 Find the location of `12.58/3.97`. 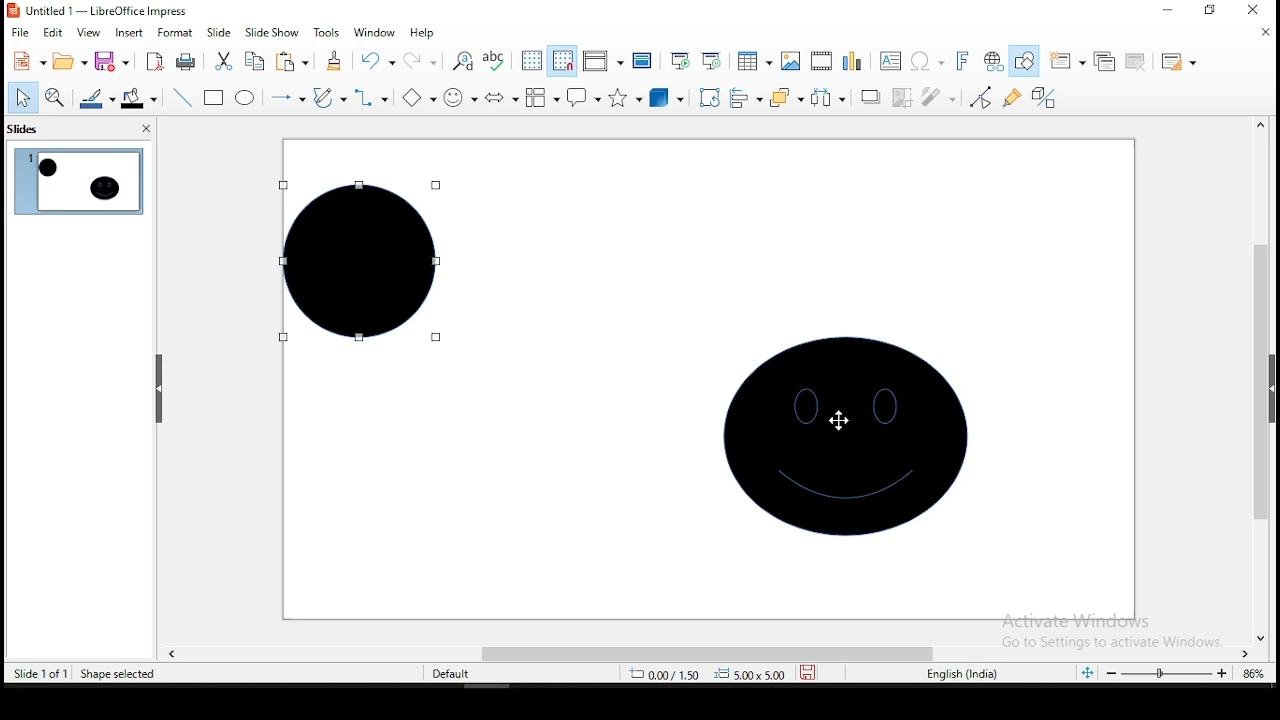

12.58/3.97 is located at coordinates (673, 673).